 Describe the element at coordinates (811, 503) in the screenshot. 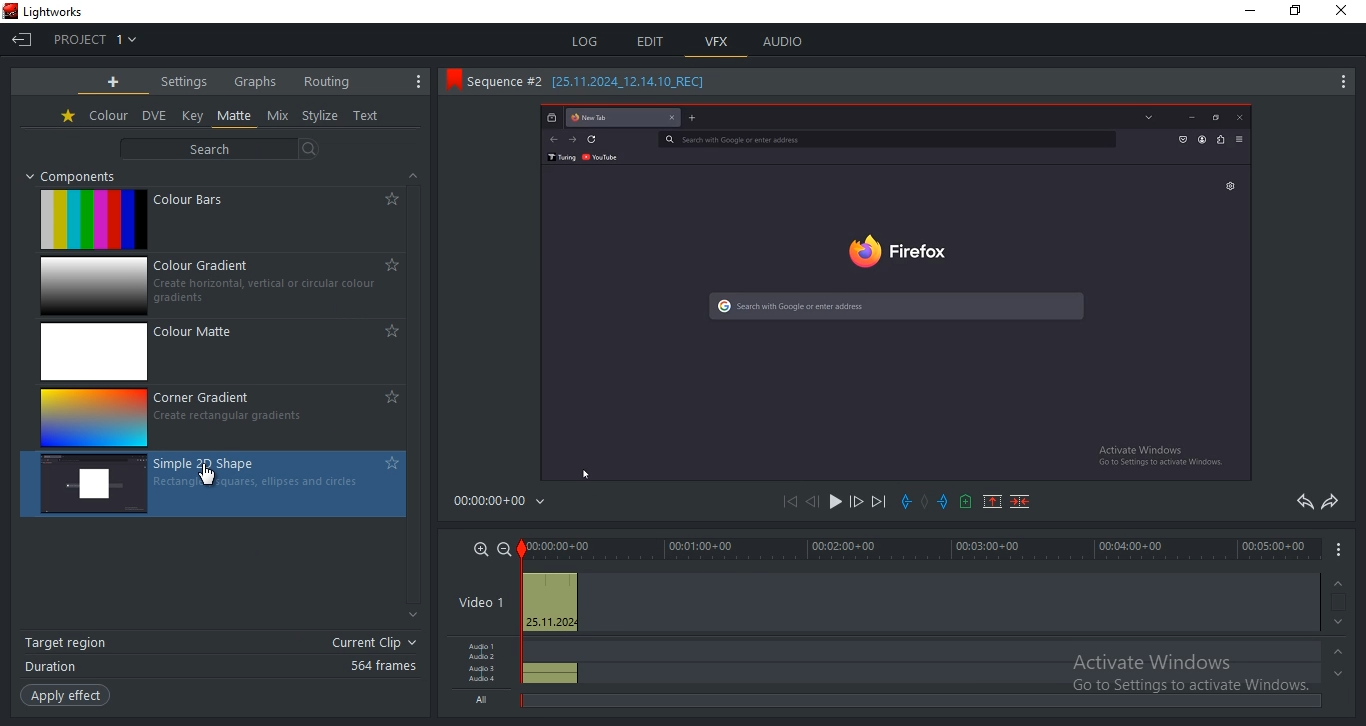

I see `rewind` at that location.